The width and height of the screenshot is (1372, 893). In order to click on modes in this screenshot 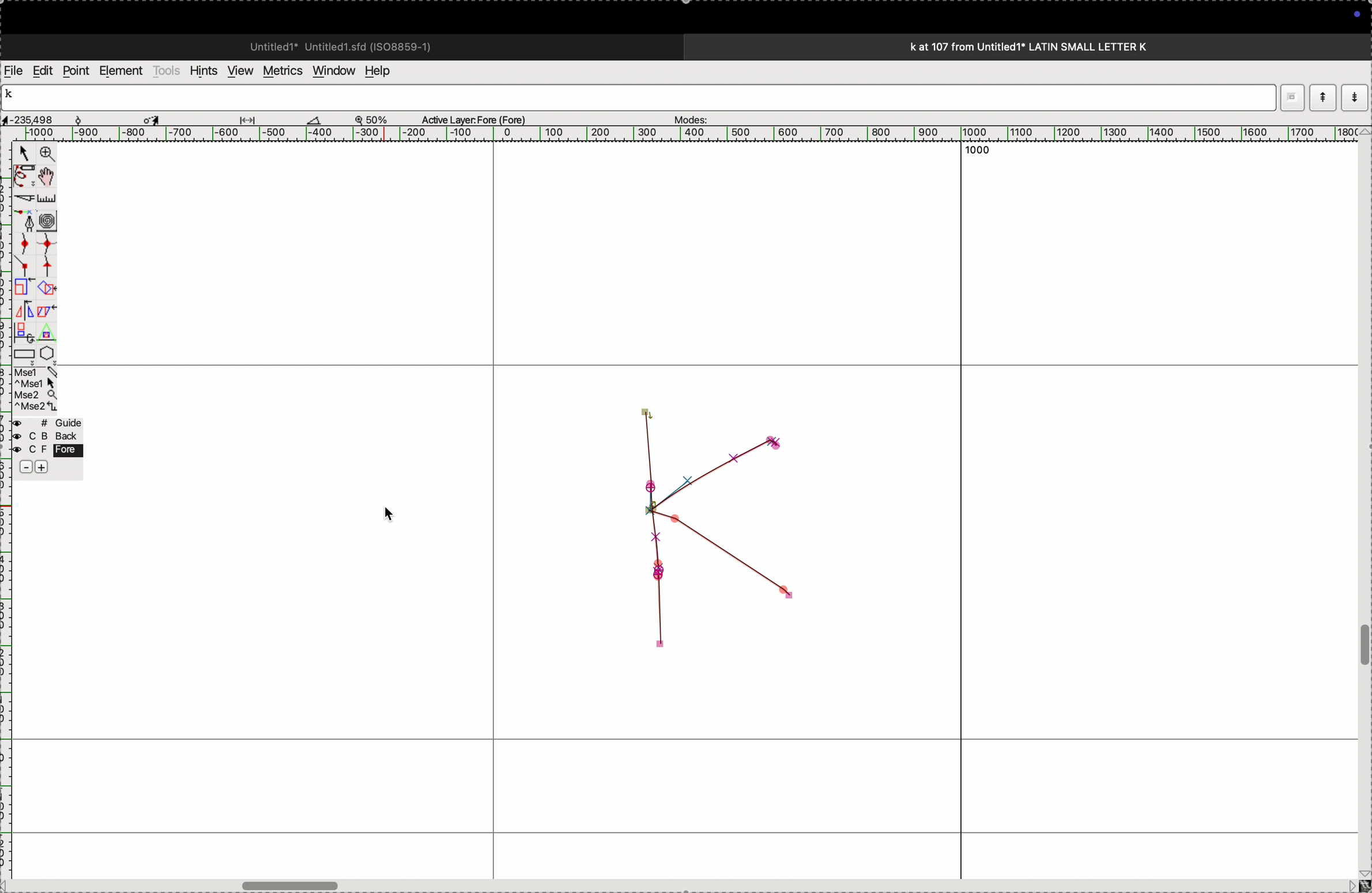, I will do `click(687, 116)`.